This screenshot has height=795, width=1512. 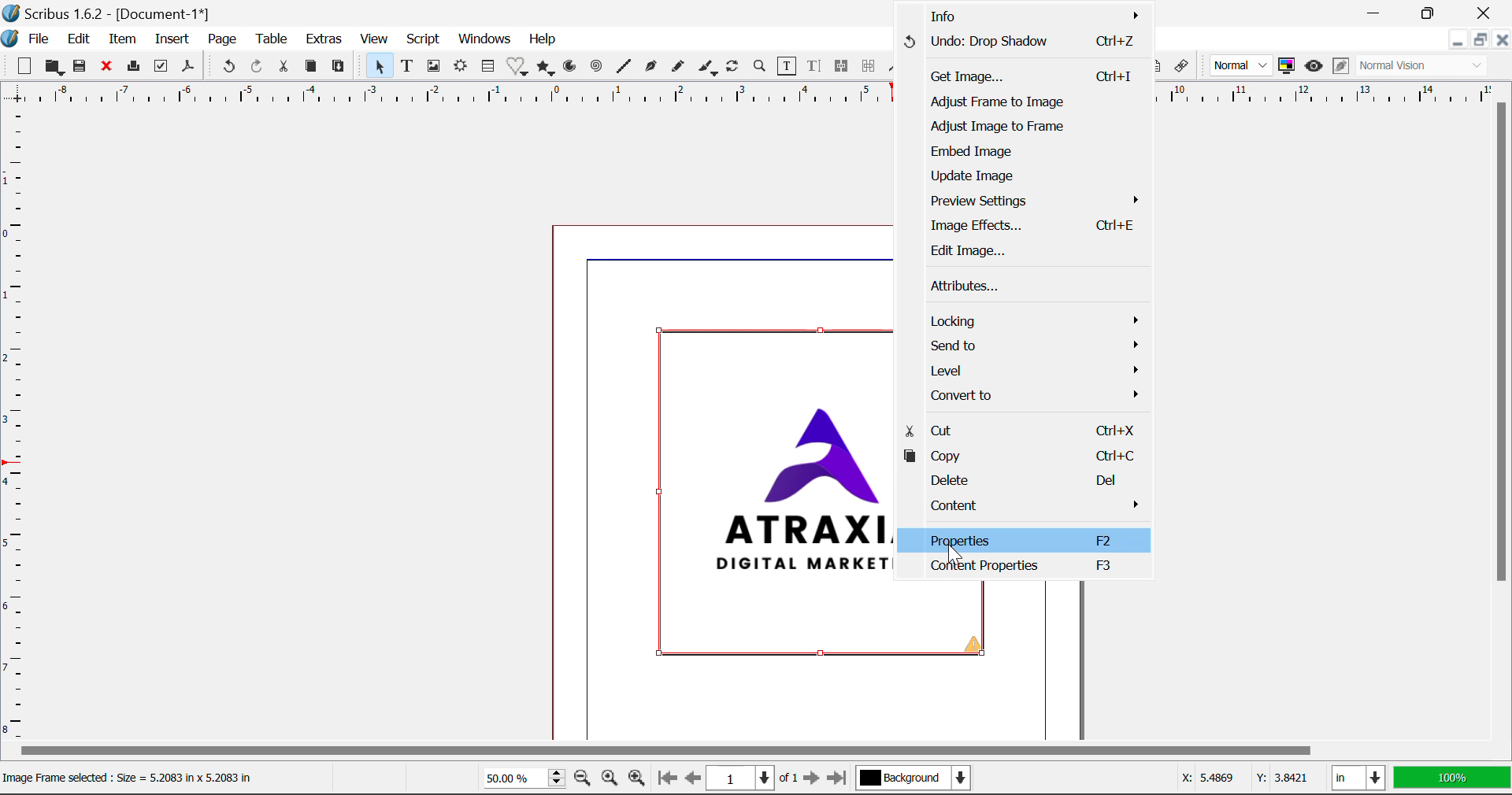 What do you see at coordinates (598, 69) in the screenshot?
I see `Spiral` at bounding box center [598, 69].